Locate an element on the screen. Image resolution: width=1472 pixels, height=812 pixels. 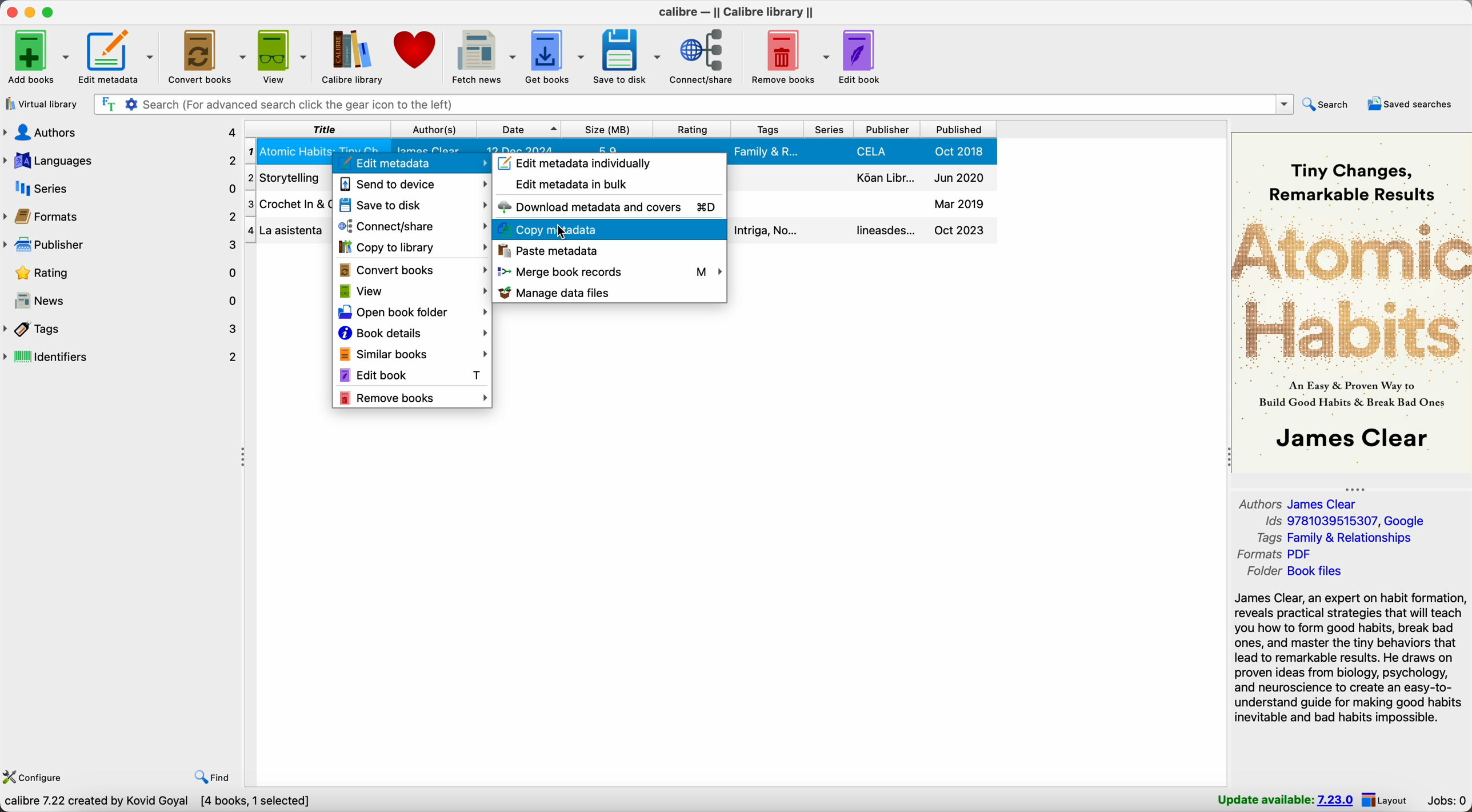
formats is located at coordinates (1275, 554).